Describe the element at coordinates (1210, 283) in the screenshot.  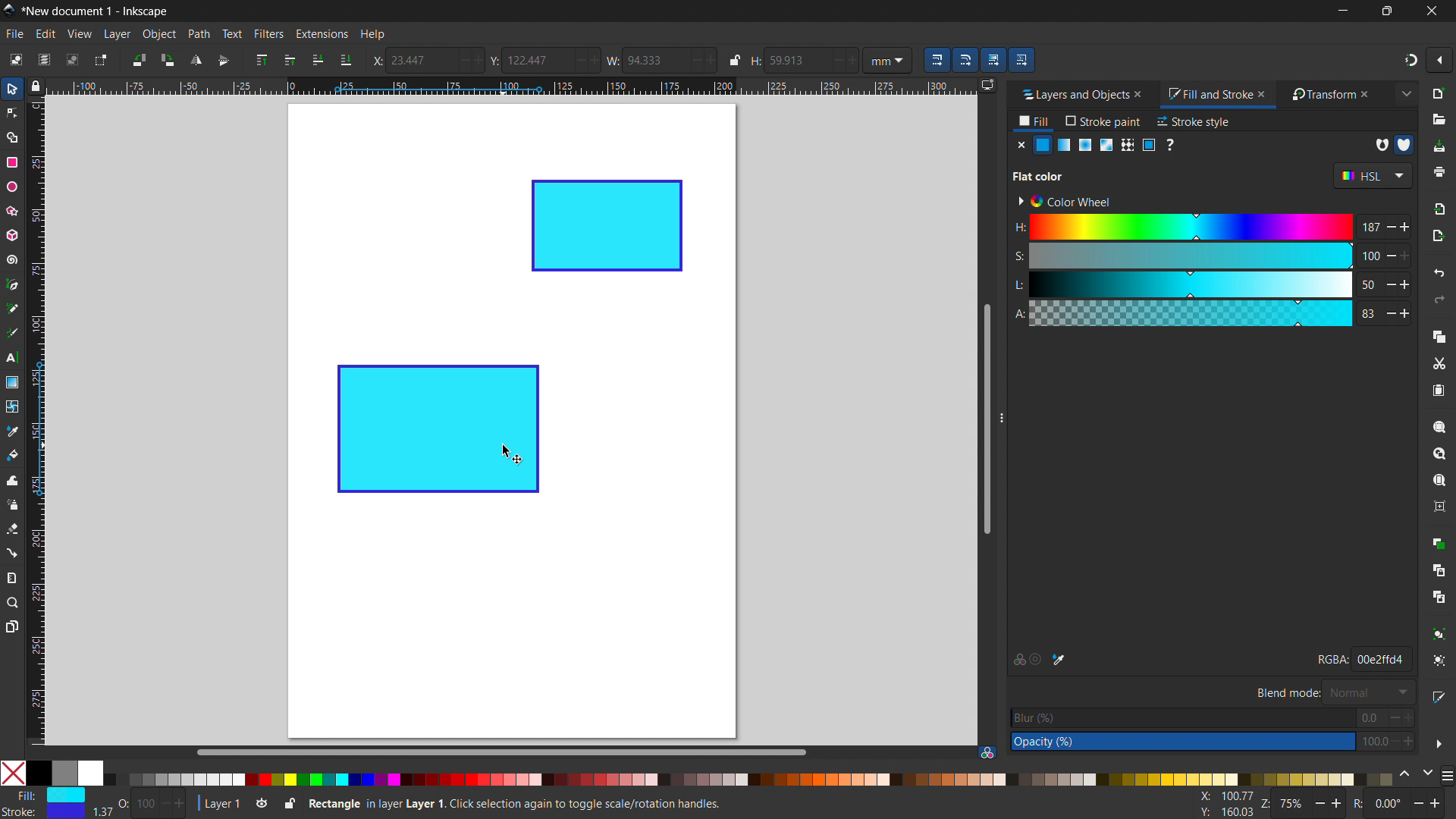
I see `L: 50` at that location.